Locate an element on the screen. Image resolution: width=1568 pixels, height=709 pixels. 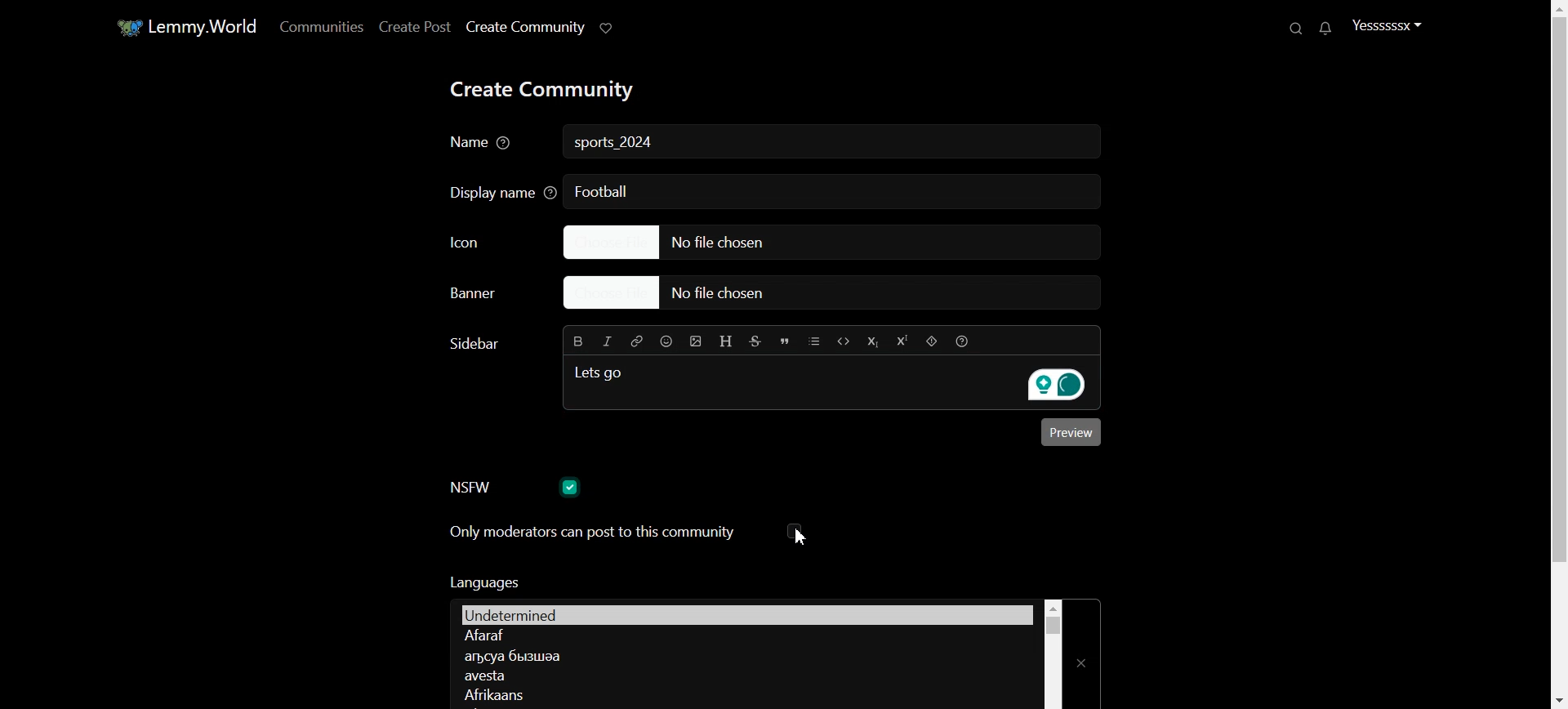
Language is located at coordinates (744, 676).